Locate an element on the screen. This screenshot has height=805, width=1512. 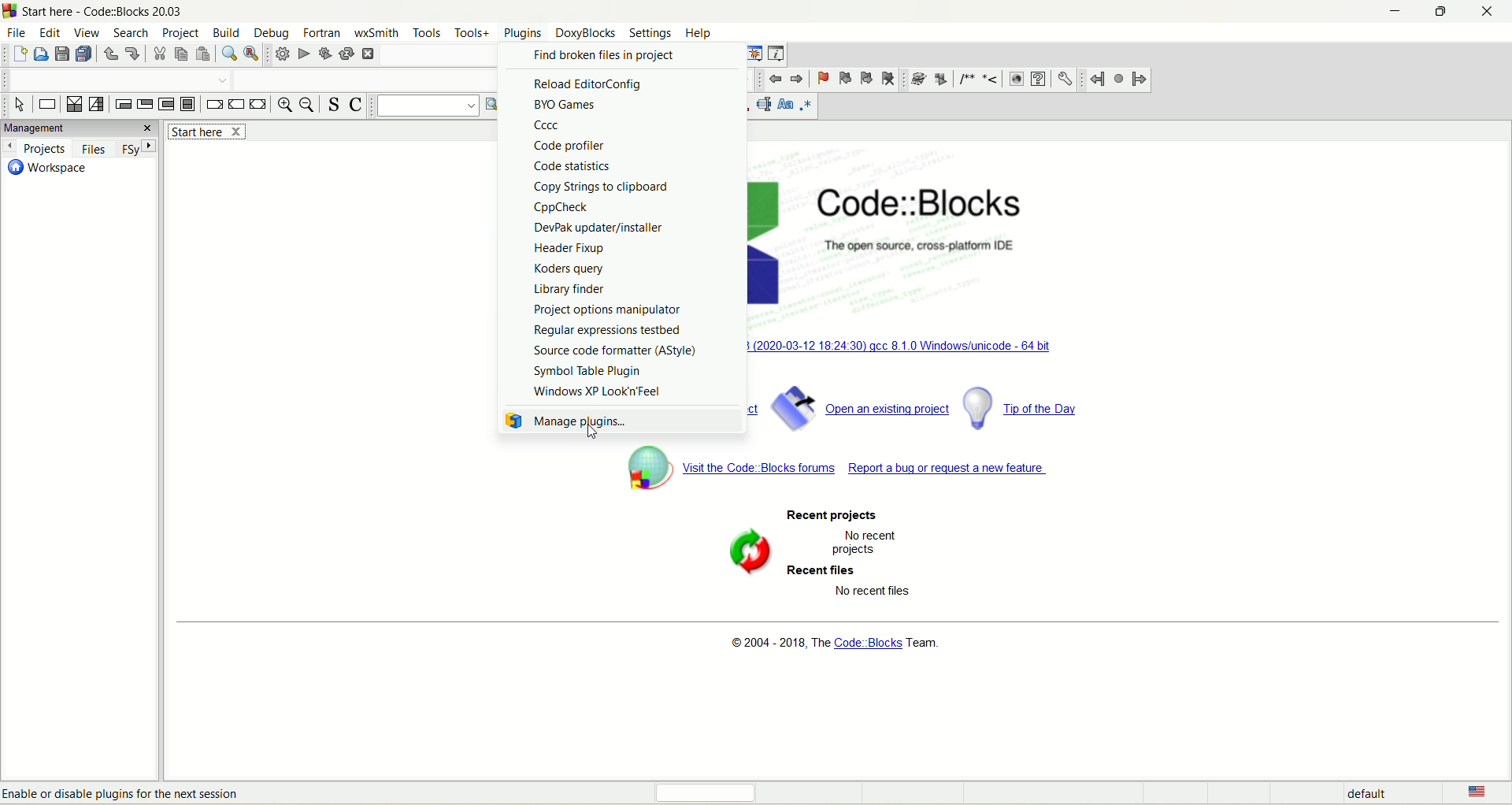
code::block is located at coordinates (106, 11).